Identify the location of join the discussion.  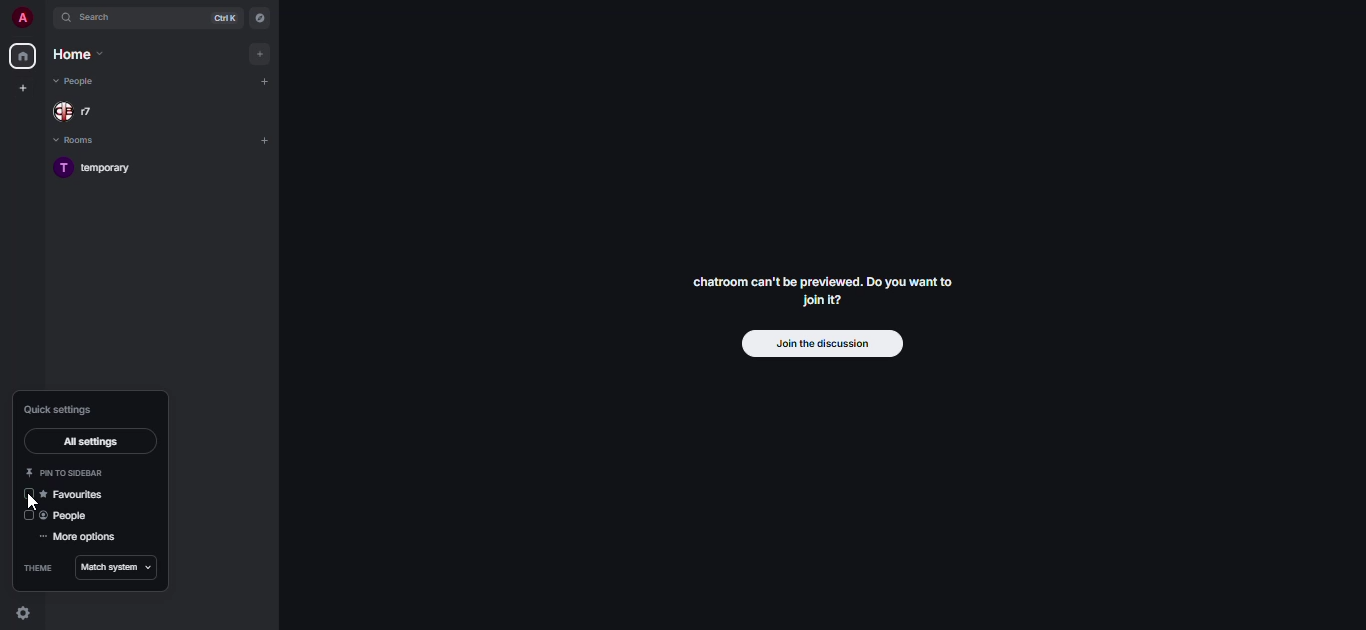
(822, 345).